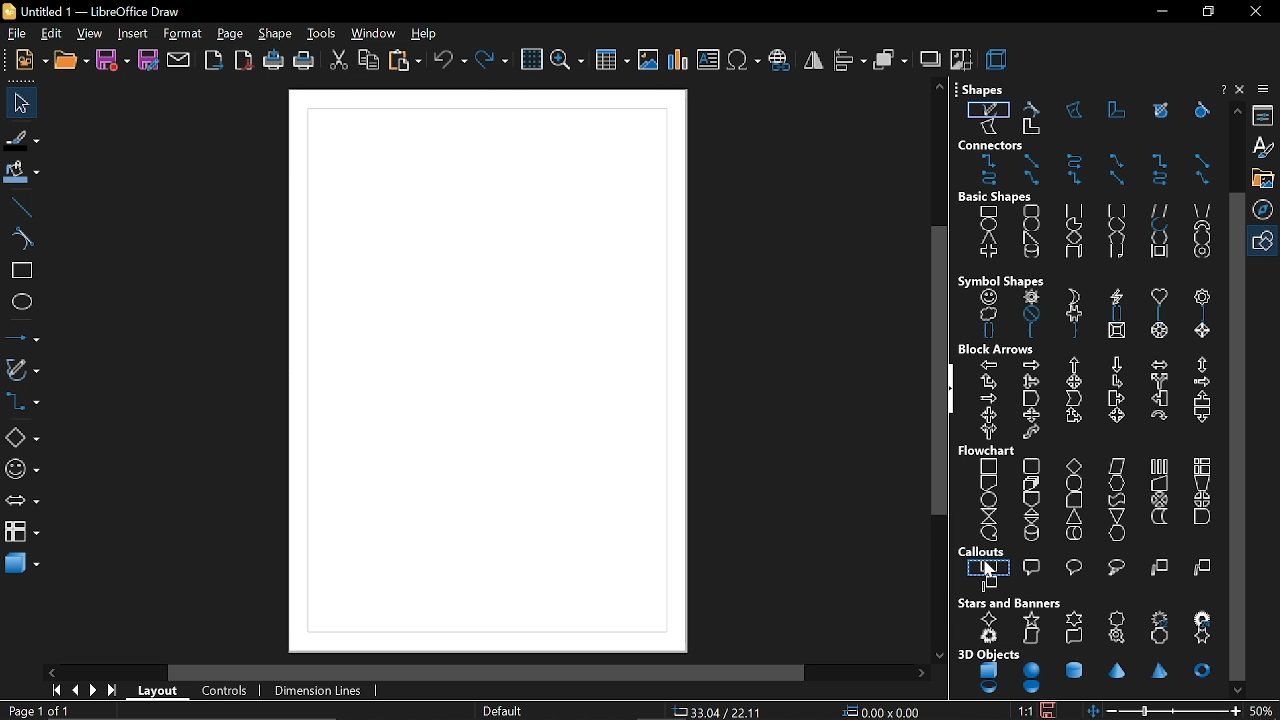 The image size is (1280, 720). What do you see at coordinates (1115, 365) in the screenshot?
I see `down arrow` at bounding box center [1115, 365].